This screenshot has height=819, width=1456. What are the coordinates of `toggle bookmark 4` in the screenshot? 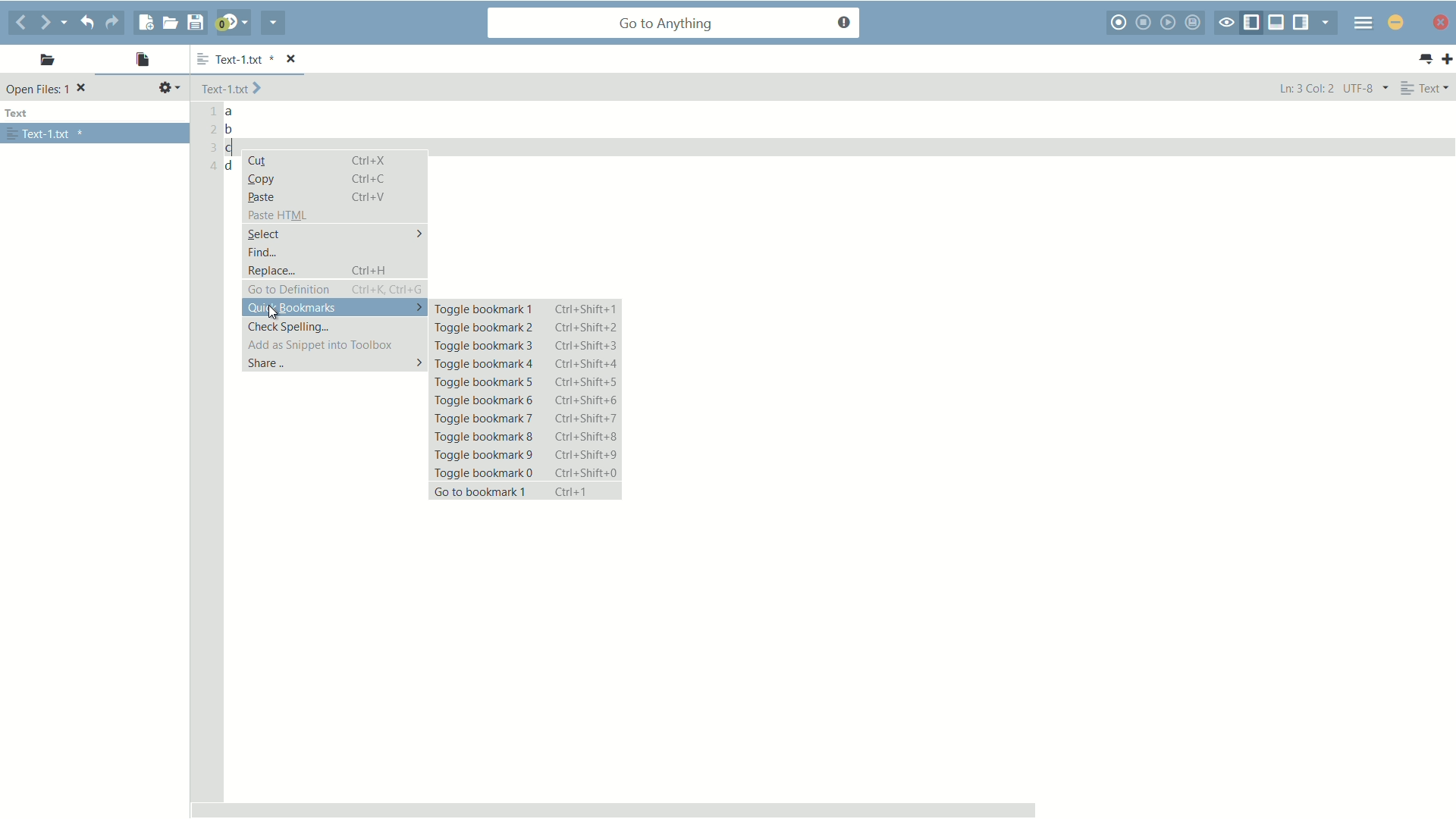 It's located at (526, 365).